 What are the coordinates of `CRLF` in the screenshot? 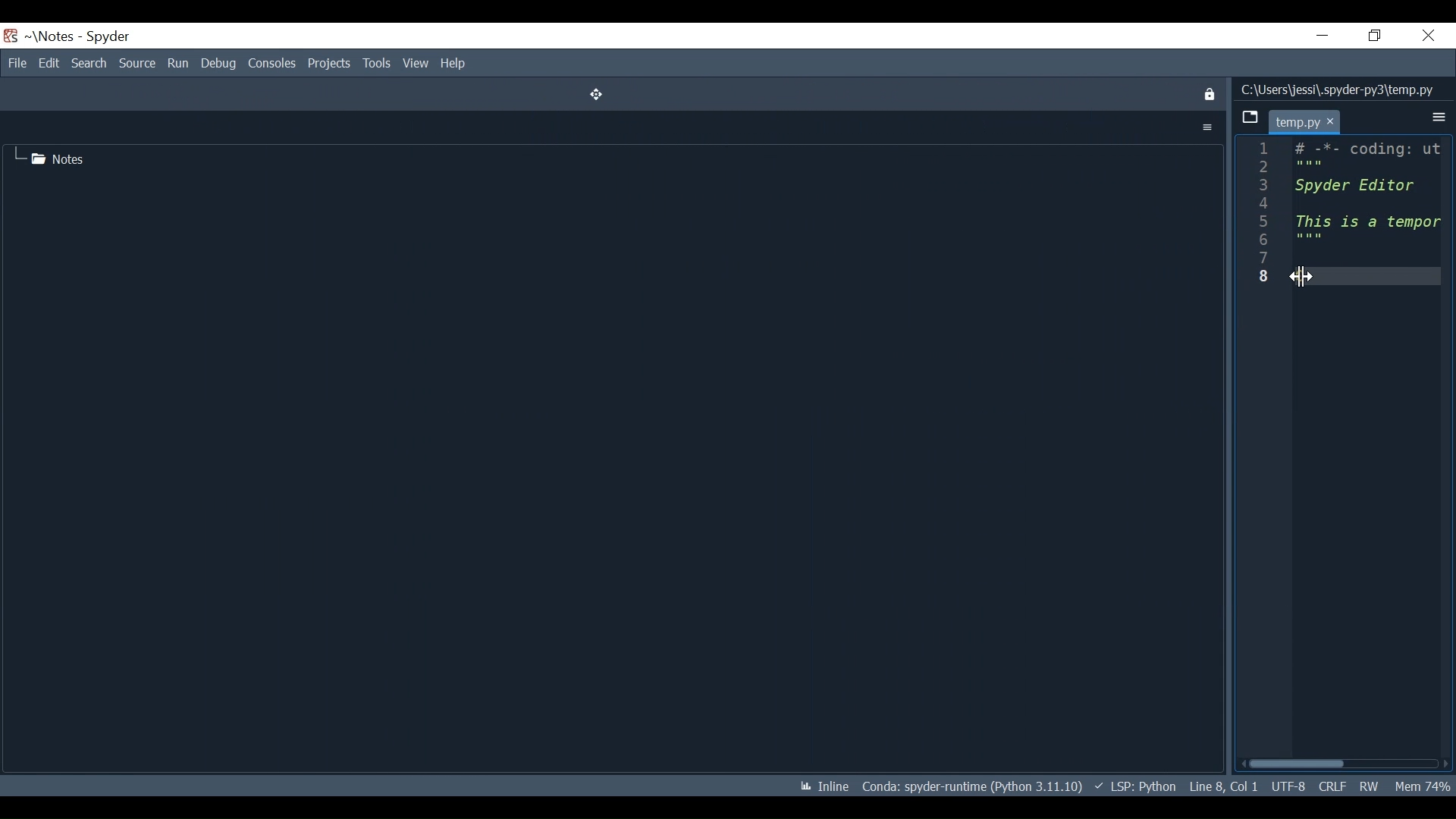 It's located at (1332, 785).